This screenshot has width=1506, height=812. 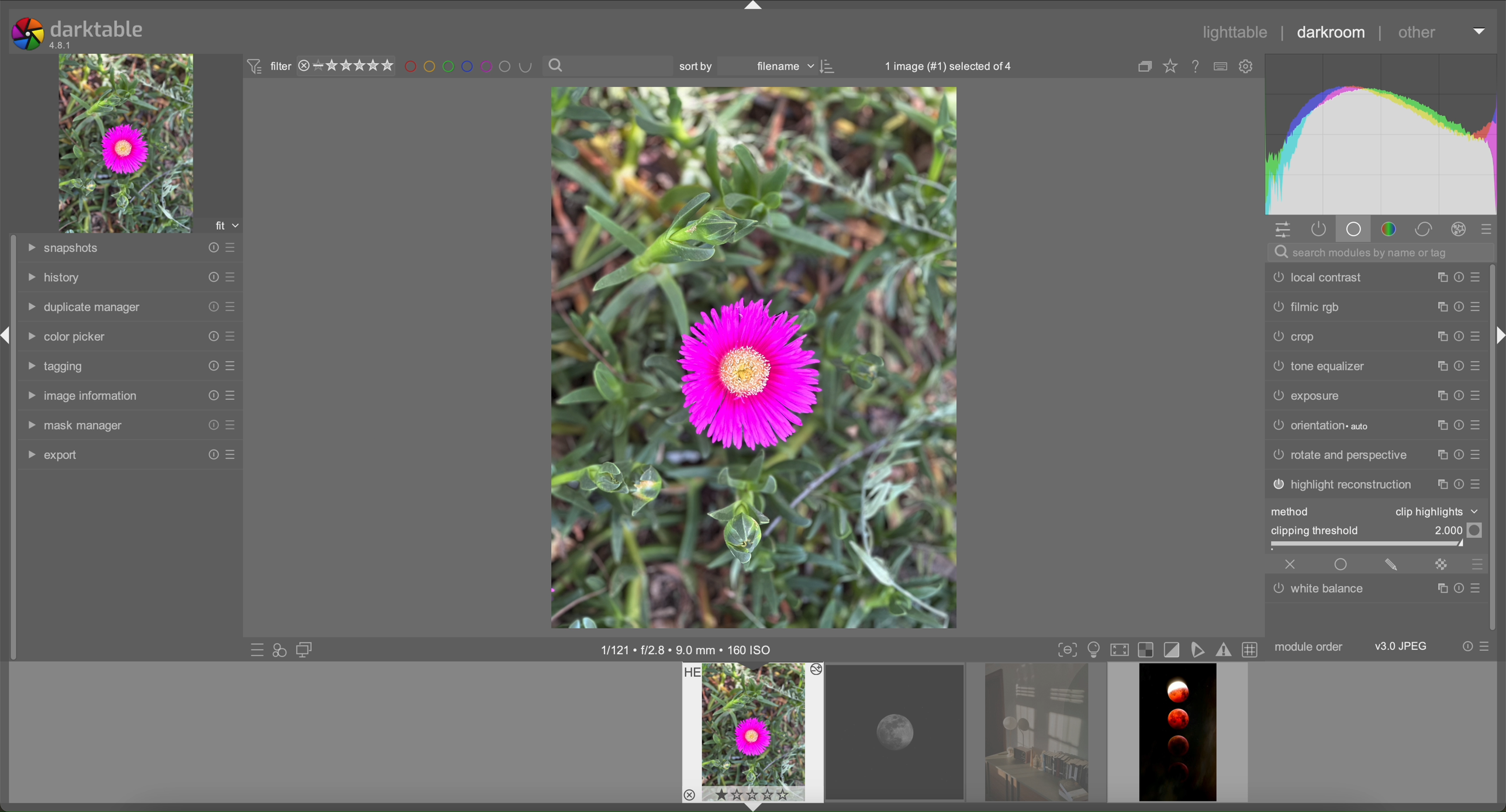 What do you see at coordinates (1387, 229) in the screenshot?
I see `color` at bounding box center [1387, 229].